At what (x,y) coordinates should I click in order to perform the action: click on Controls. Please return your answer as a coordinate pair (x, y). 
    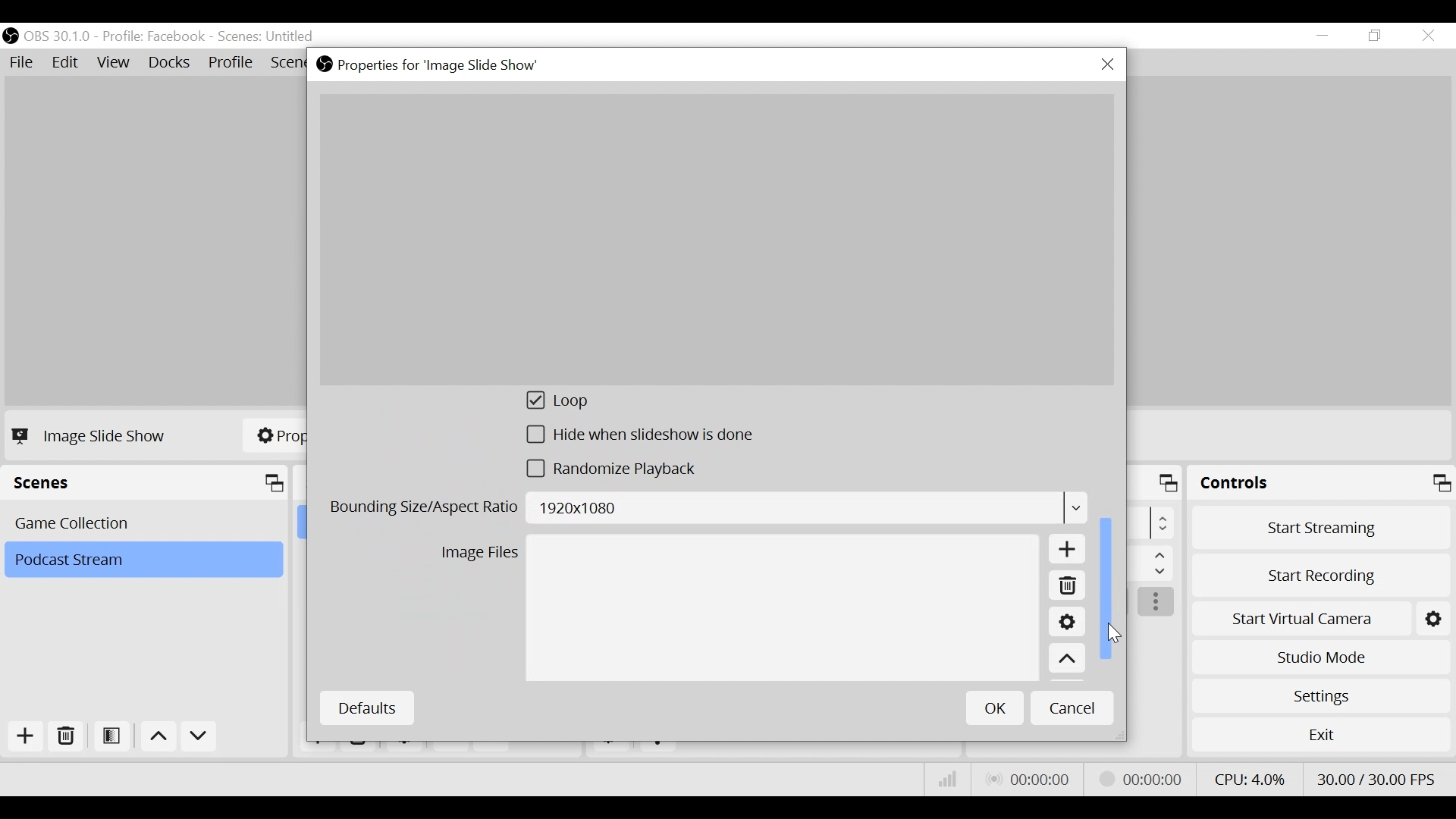
    Looking at the image, I should click on (1321, 485).